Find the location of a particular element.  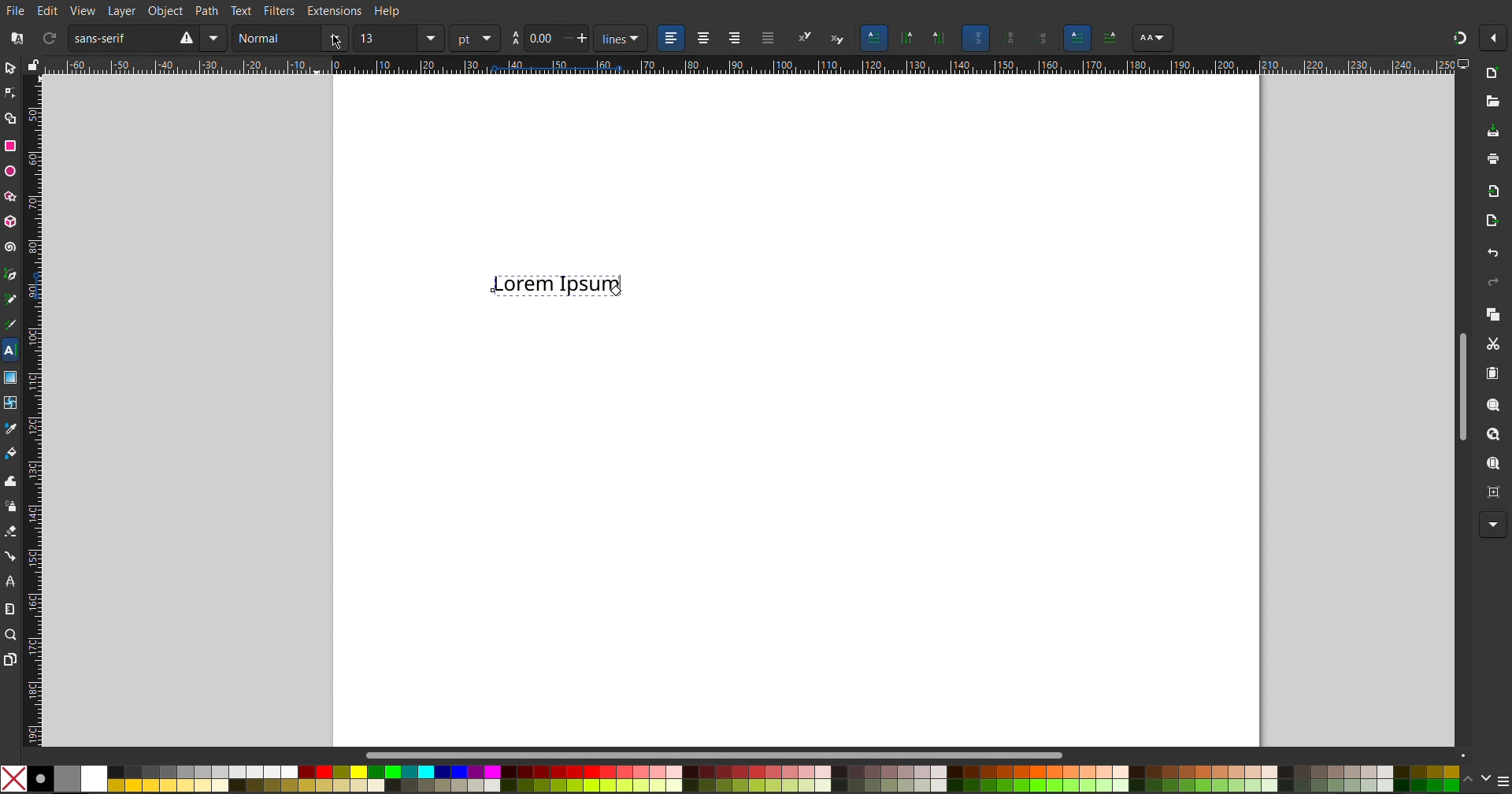

Color is located at coordinates (729, 777).